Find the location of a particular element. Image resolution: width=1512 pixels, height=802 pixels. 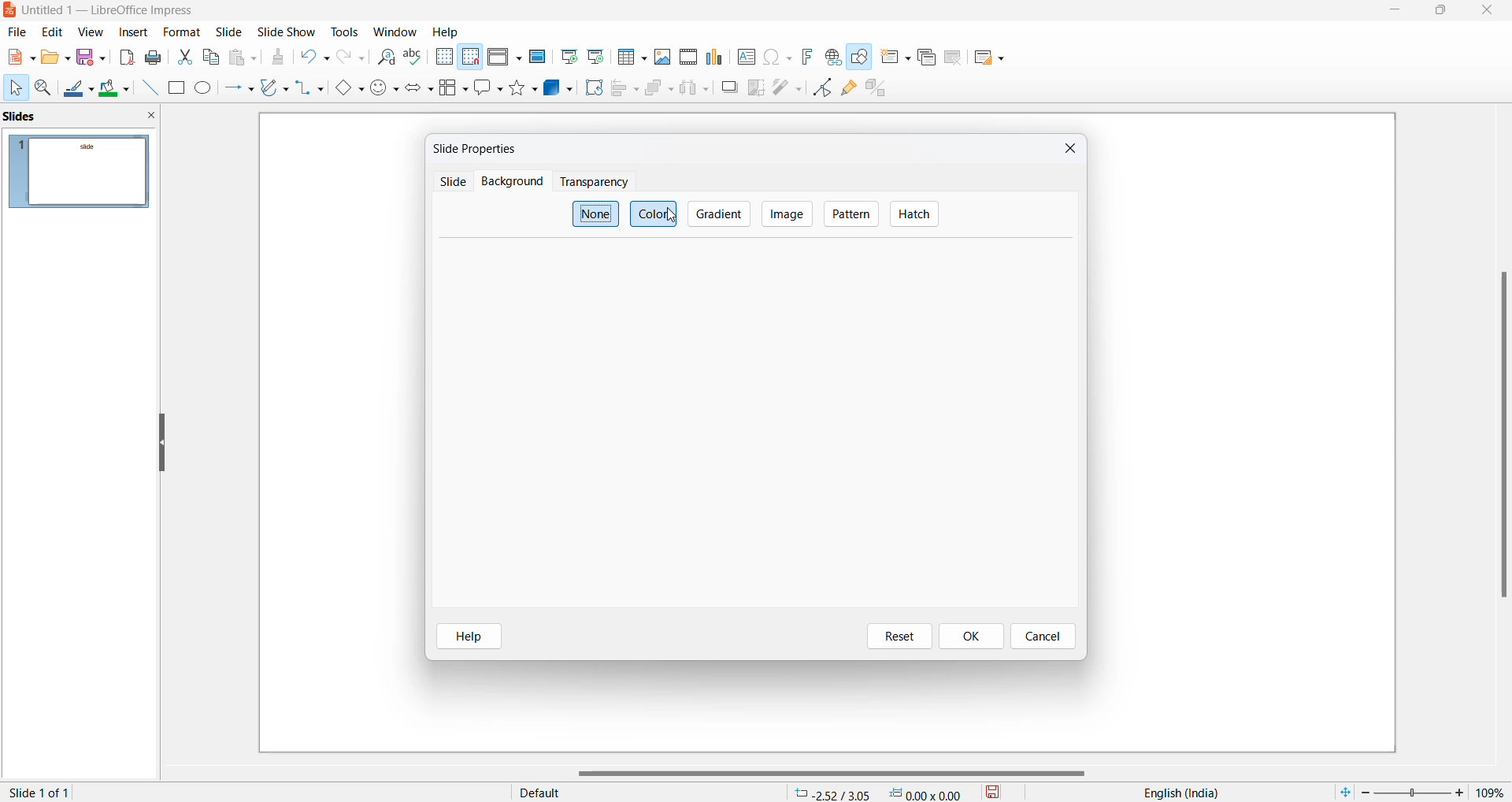

undo is located at coordinates (317, 59).